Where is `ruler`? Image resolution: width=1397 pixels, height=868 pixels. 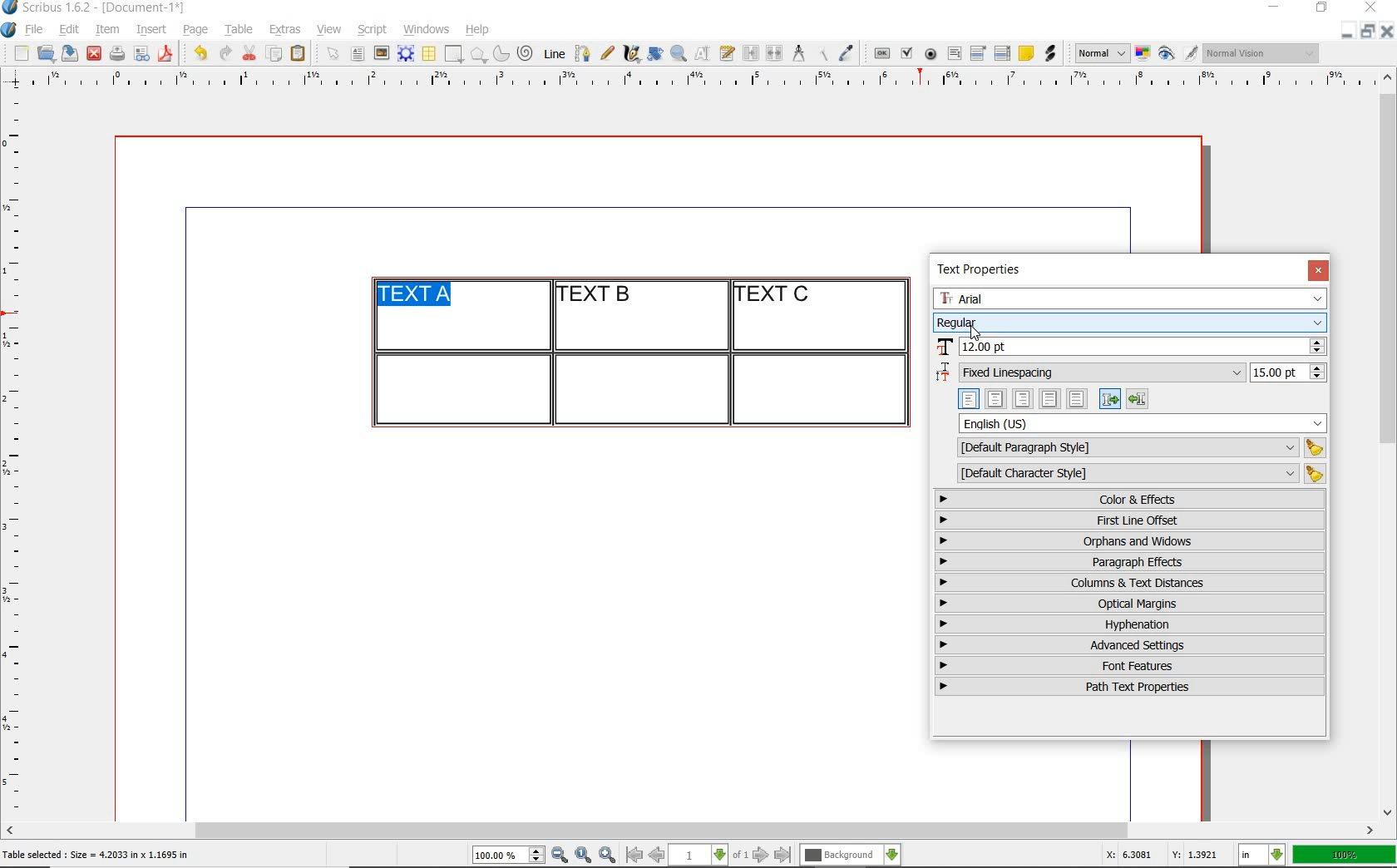
ruler is located at coordinates (18, 454).